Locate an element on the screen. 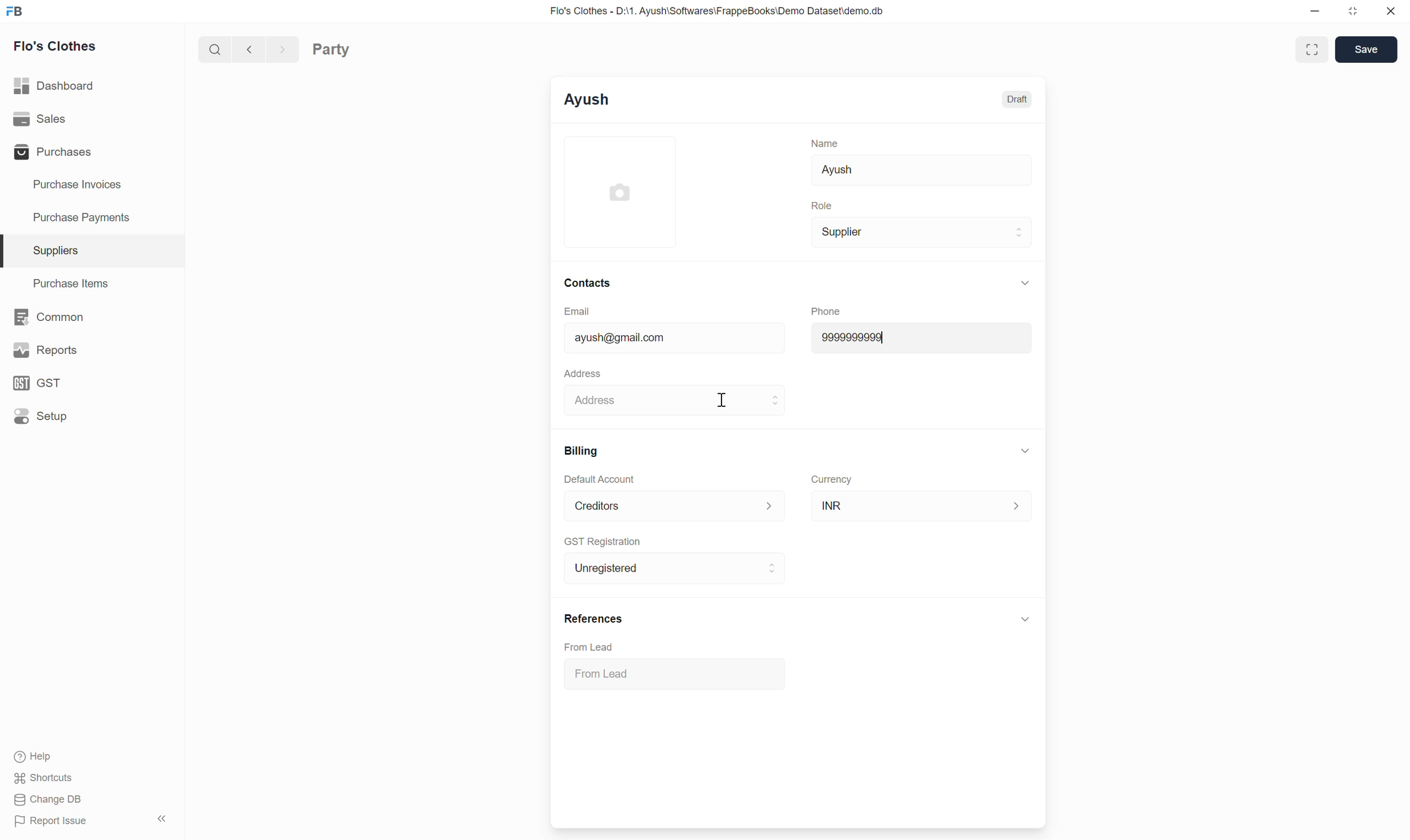  Billing is located at coordinates (581, 451).